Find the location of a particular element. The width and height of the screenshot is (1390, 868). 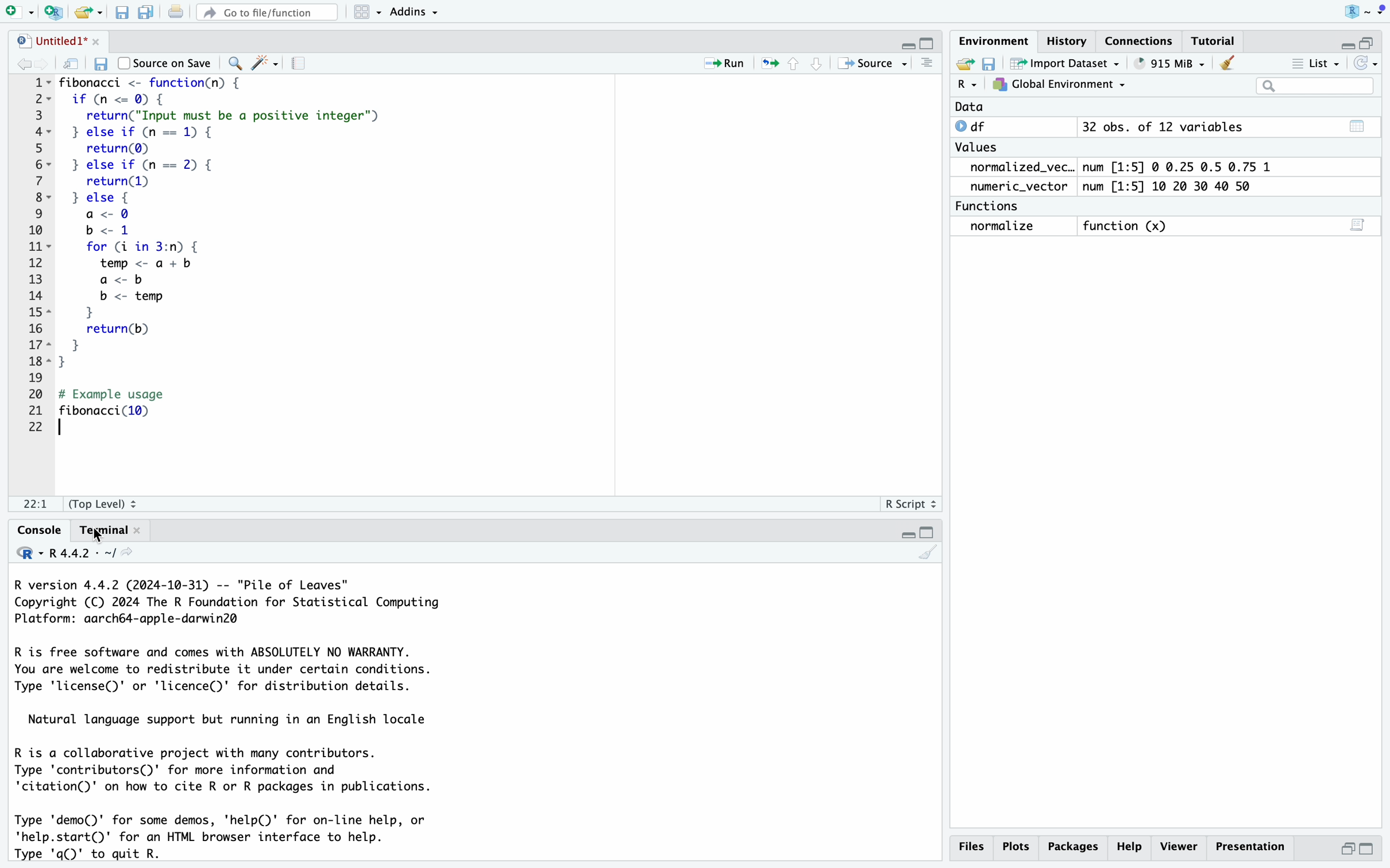

1:1 is located at coordinates (36, 505).